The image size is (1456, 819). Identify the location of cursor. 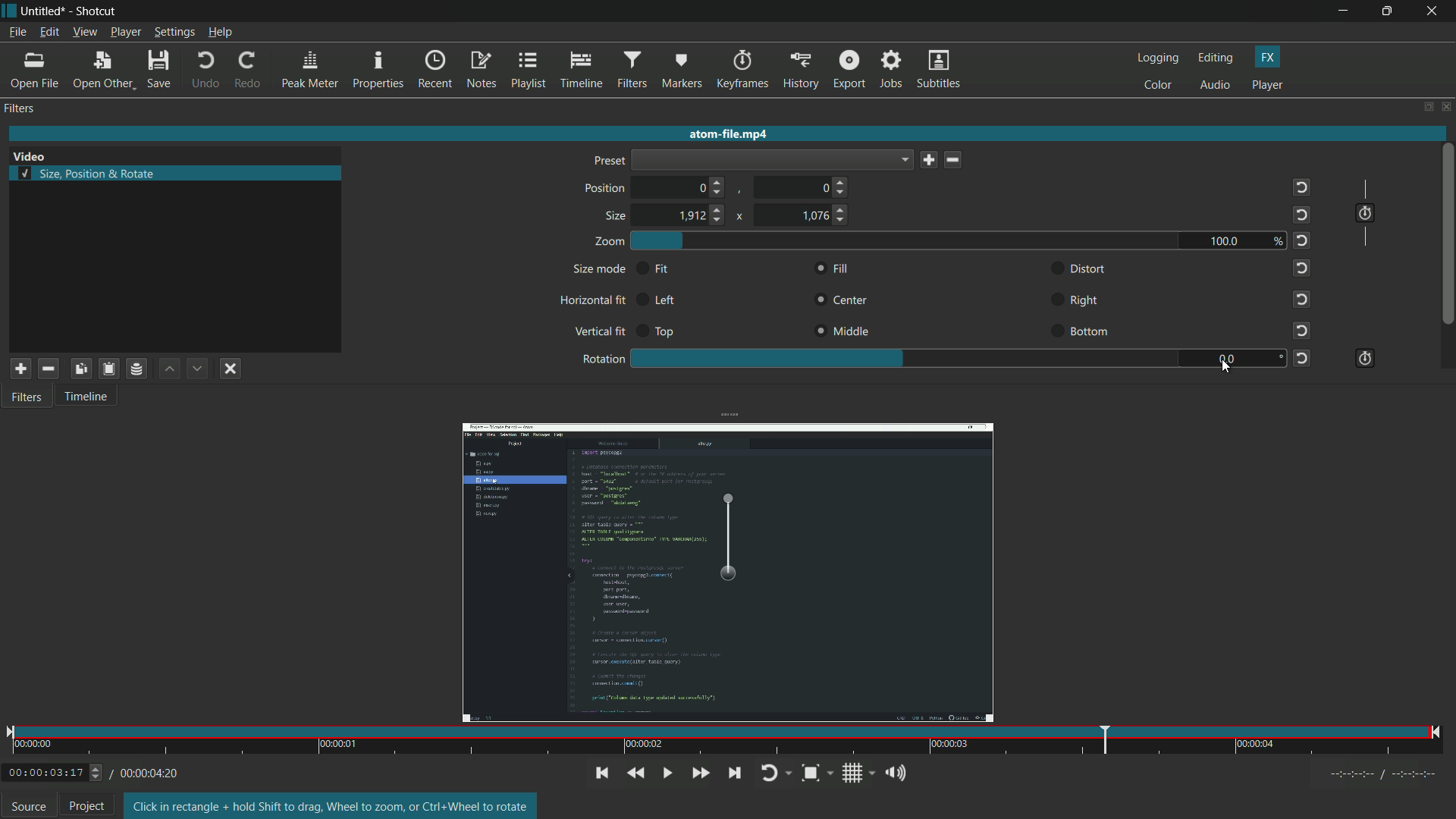
(1229, 371).